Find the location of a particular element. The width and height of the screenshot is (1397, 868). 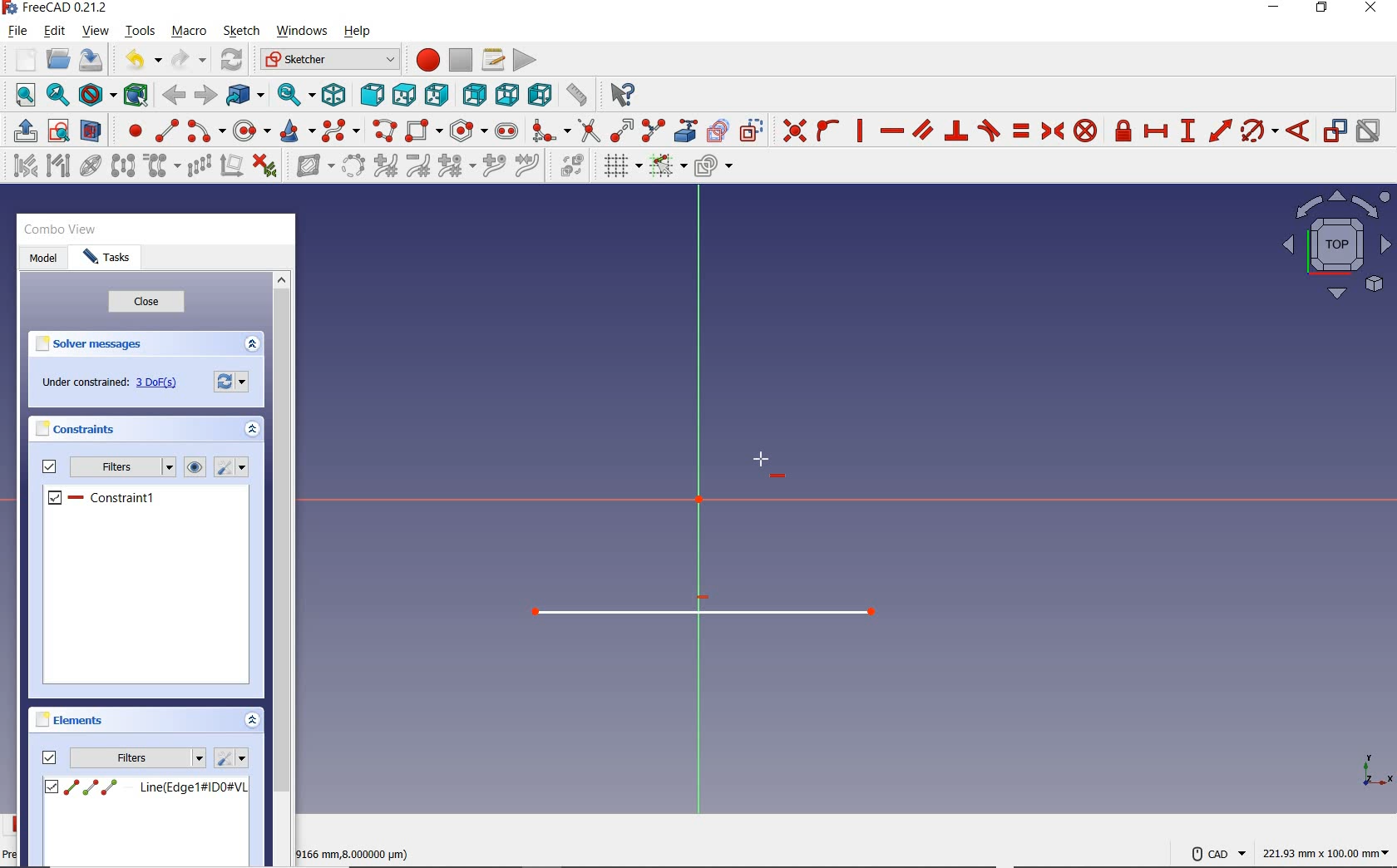

COMBO VIEW is located at coordinates (63, 230).